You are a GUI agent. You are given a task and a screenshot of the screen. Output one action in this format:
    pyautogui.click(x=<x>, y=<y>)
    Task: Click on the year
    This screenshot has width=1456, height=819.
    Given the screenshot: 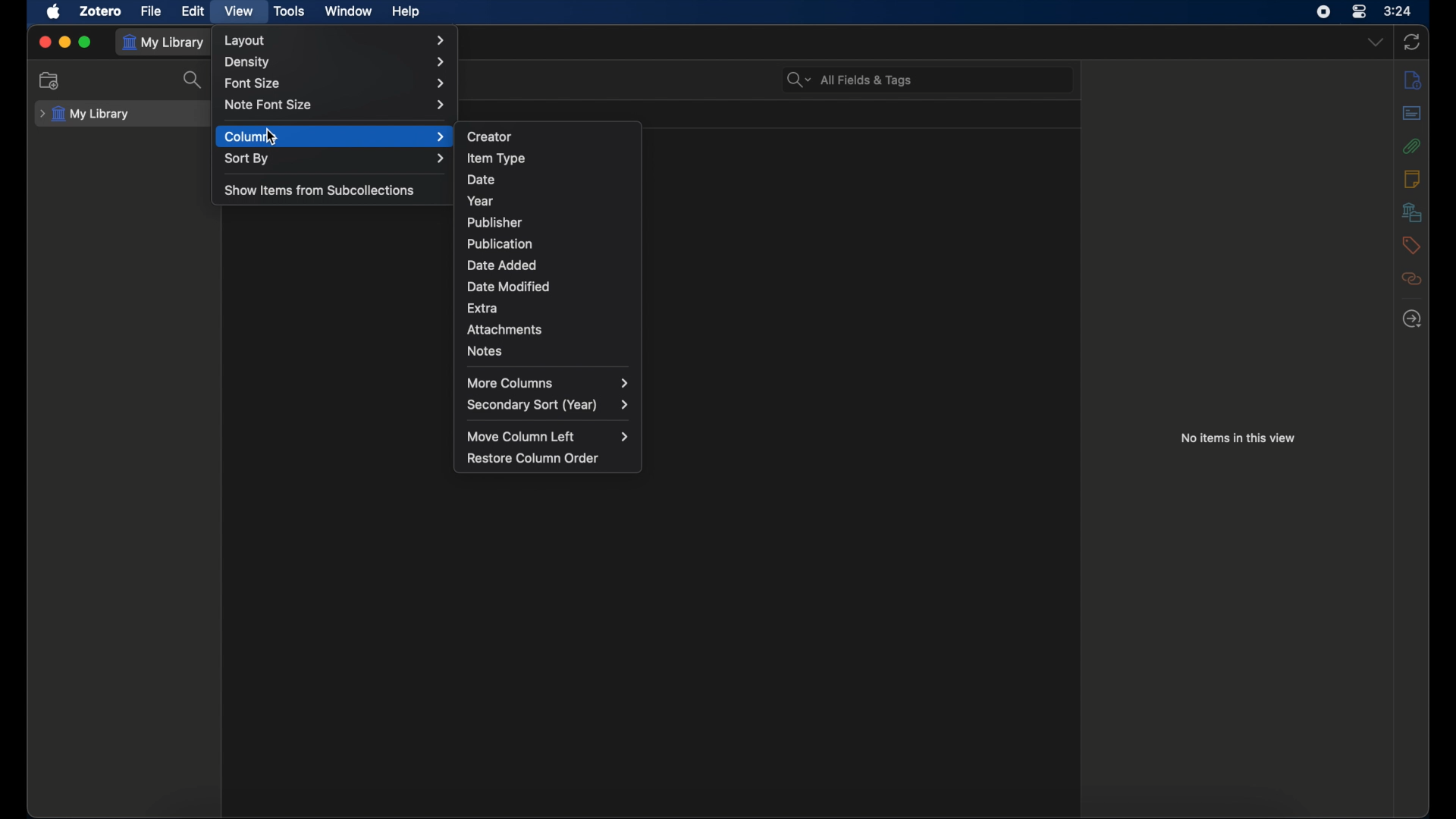 What is the action you would take?
    pyautogui.click(x=481, y=201)
    